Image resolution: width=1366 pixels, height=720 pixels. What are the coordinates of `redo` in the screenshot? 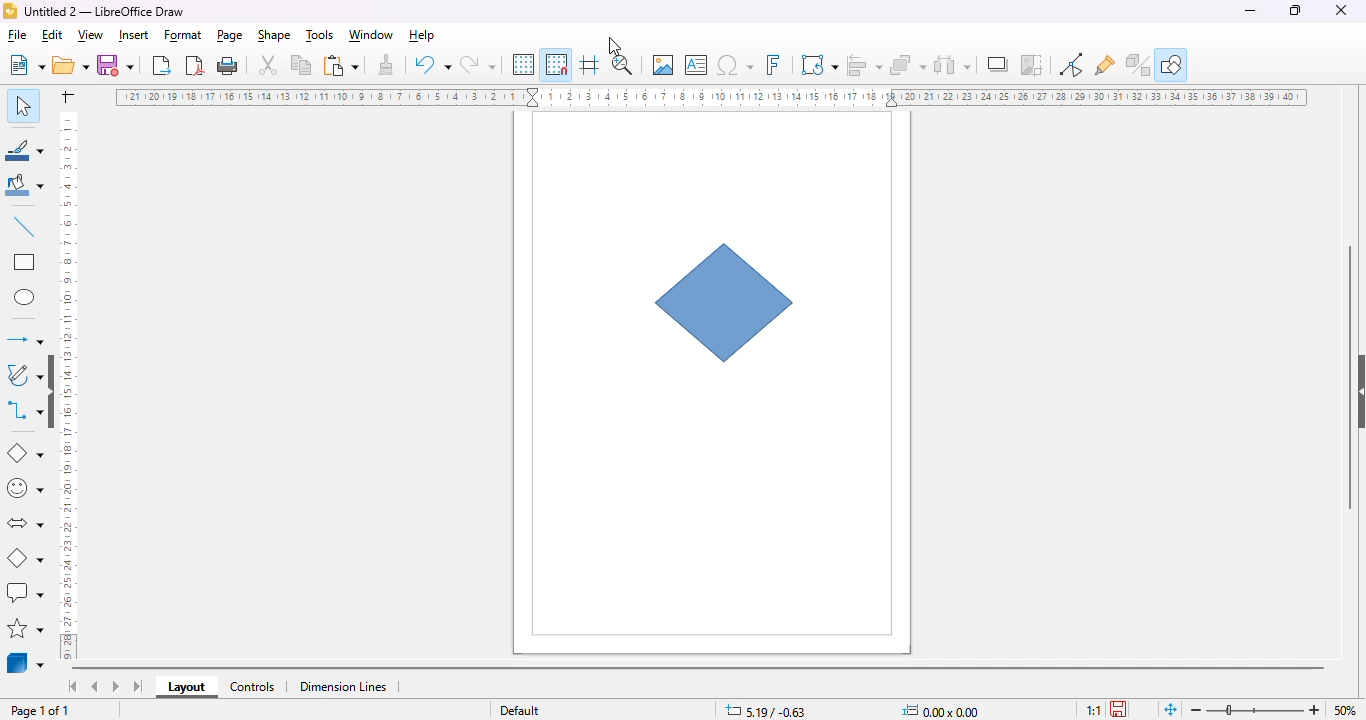 It's located at (478, 65).